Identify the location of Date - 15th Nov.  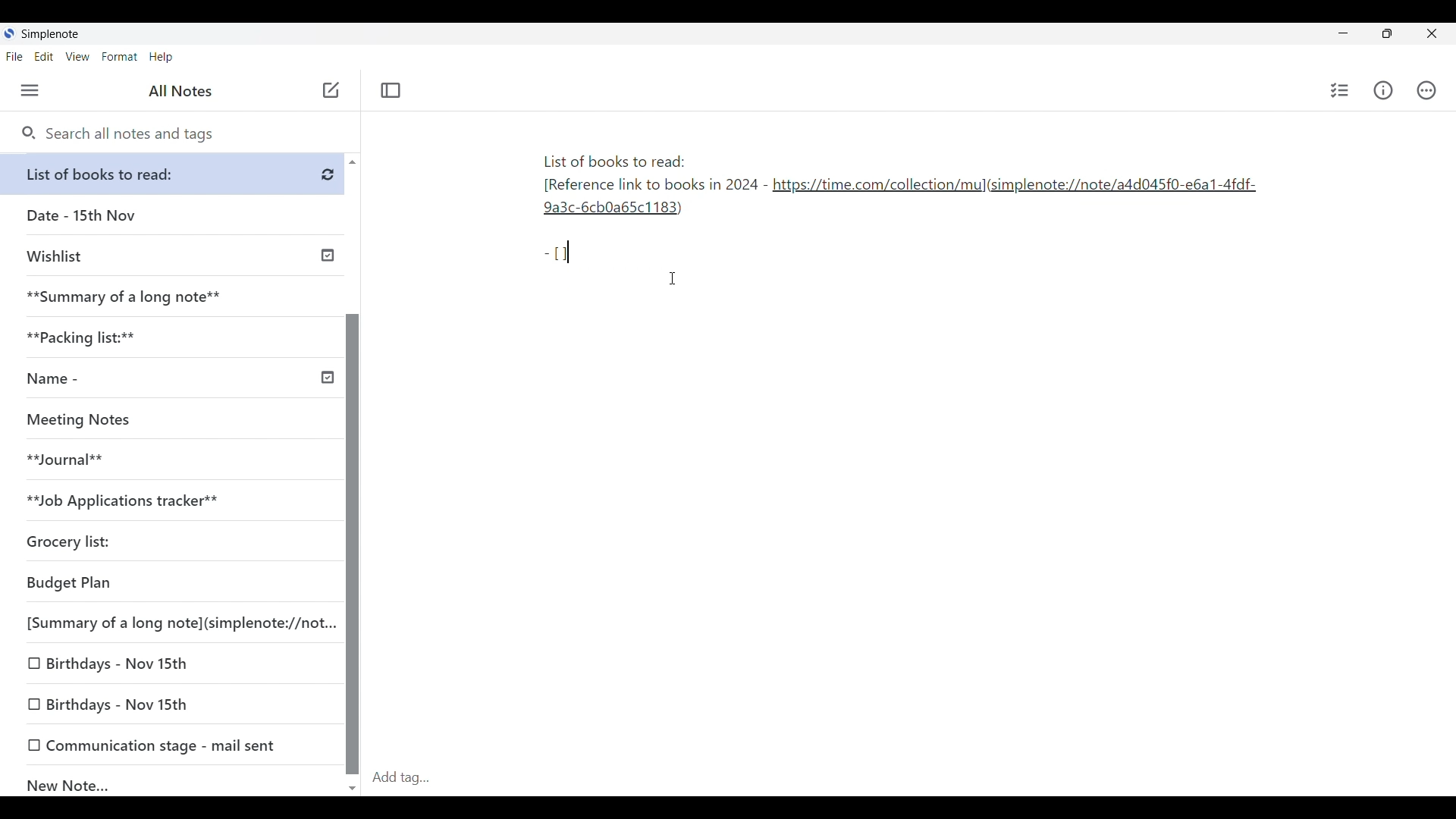
(173, 215).